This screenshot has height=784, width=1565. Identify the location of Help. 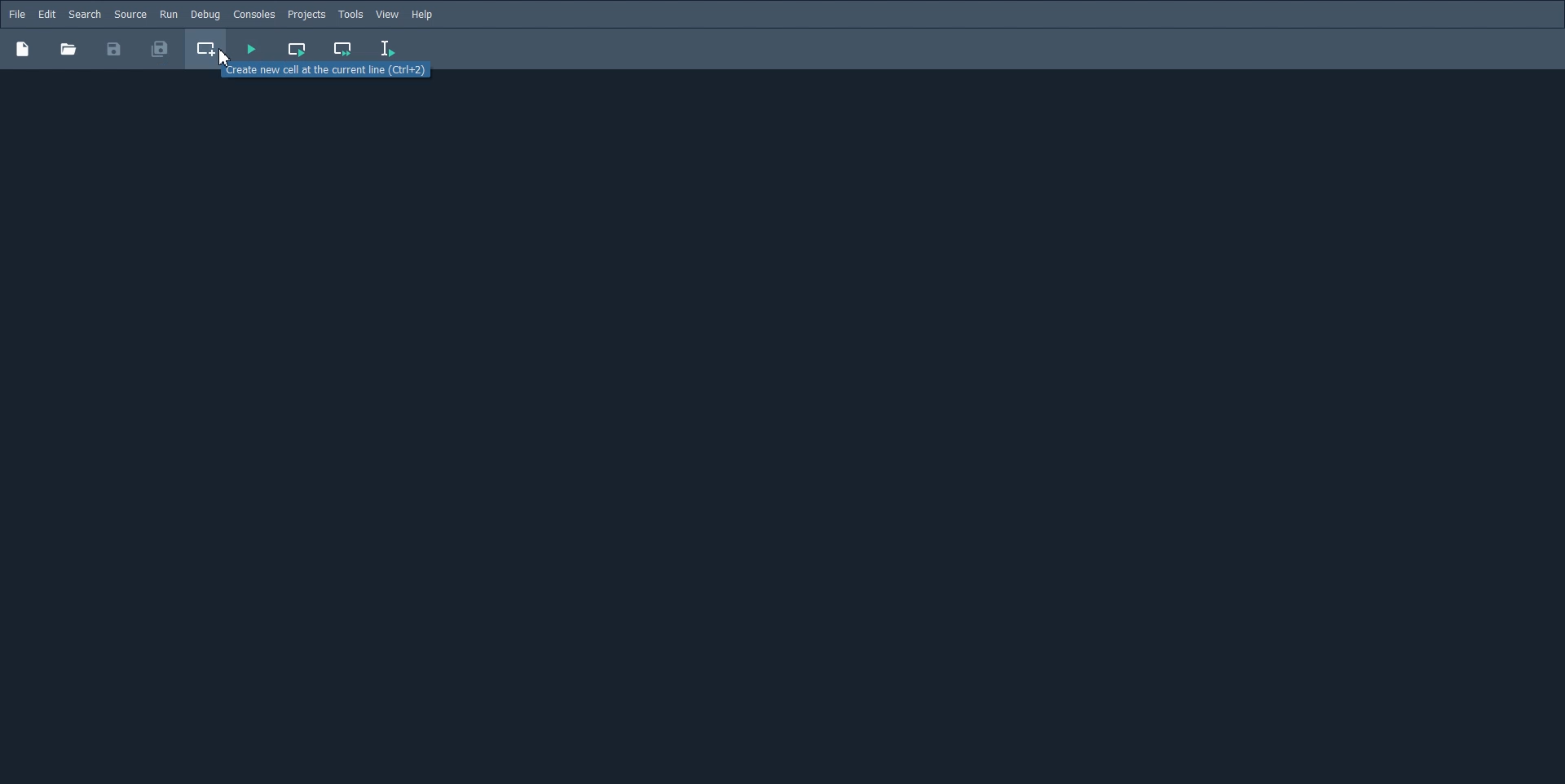
(424, 15).